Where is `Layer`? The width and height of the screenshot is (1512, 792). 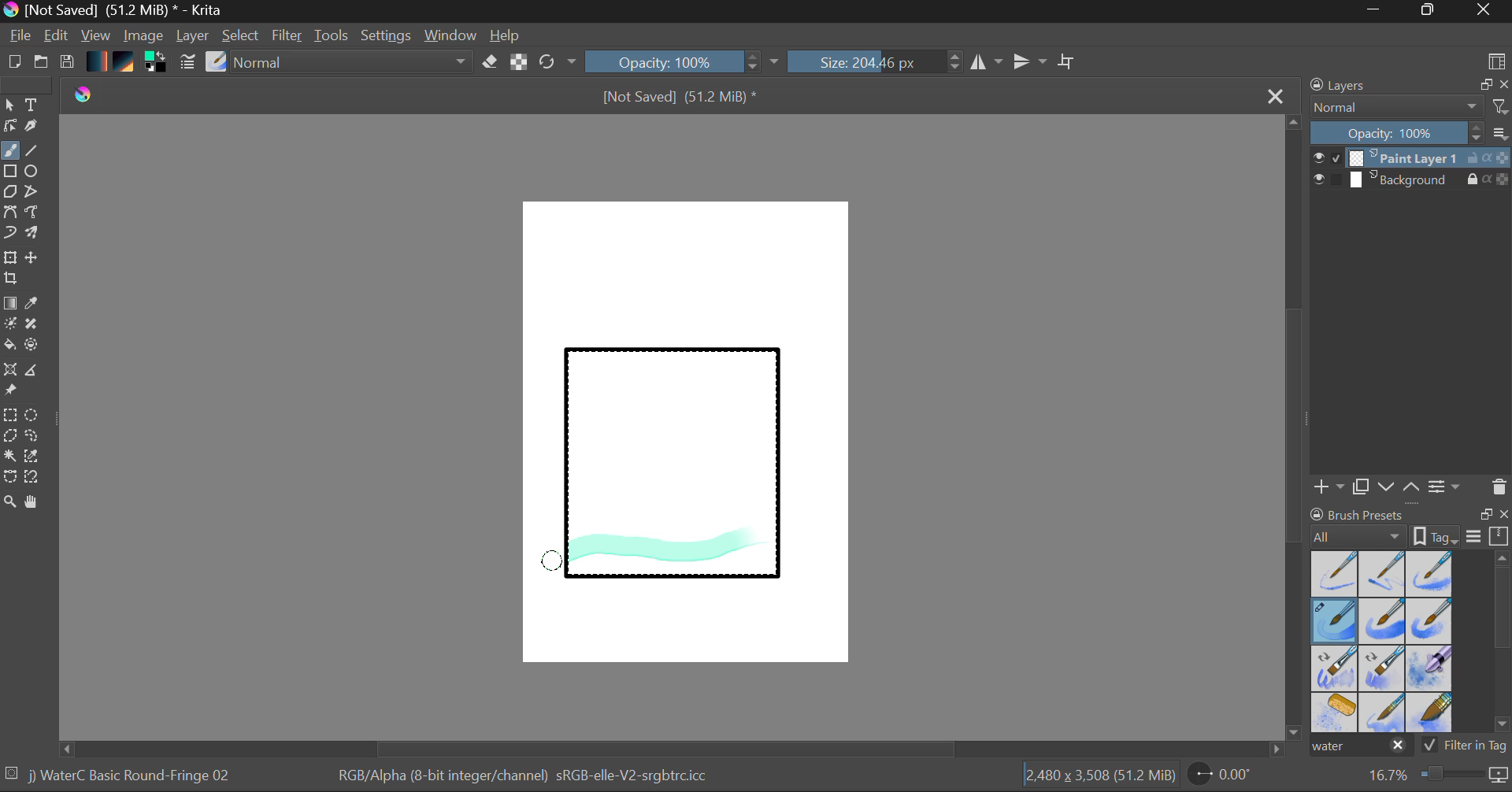 Layer is located at coordinates (195, 35).